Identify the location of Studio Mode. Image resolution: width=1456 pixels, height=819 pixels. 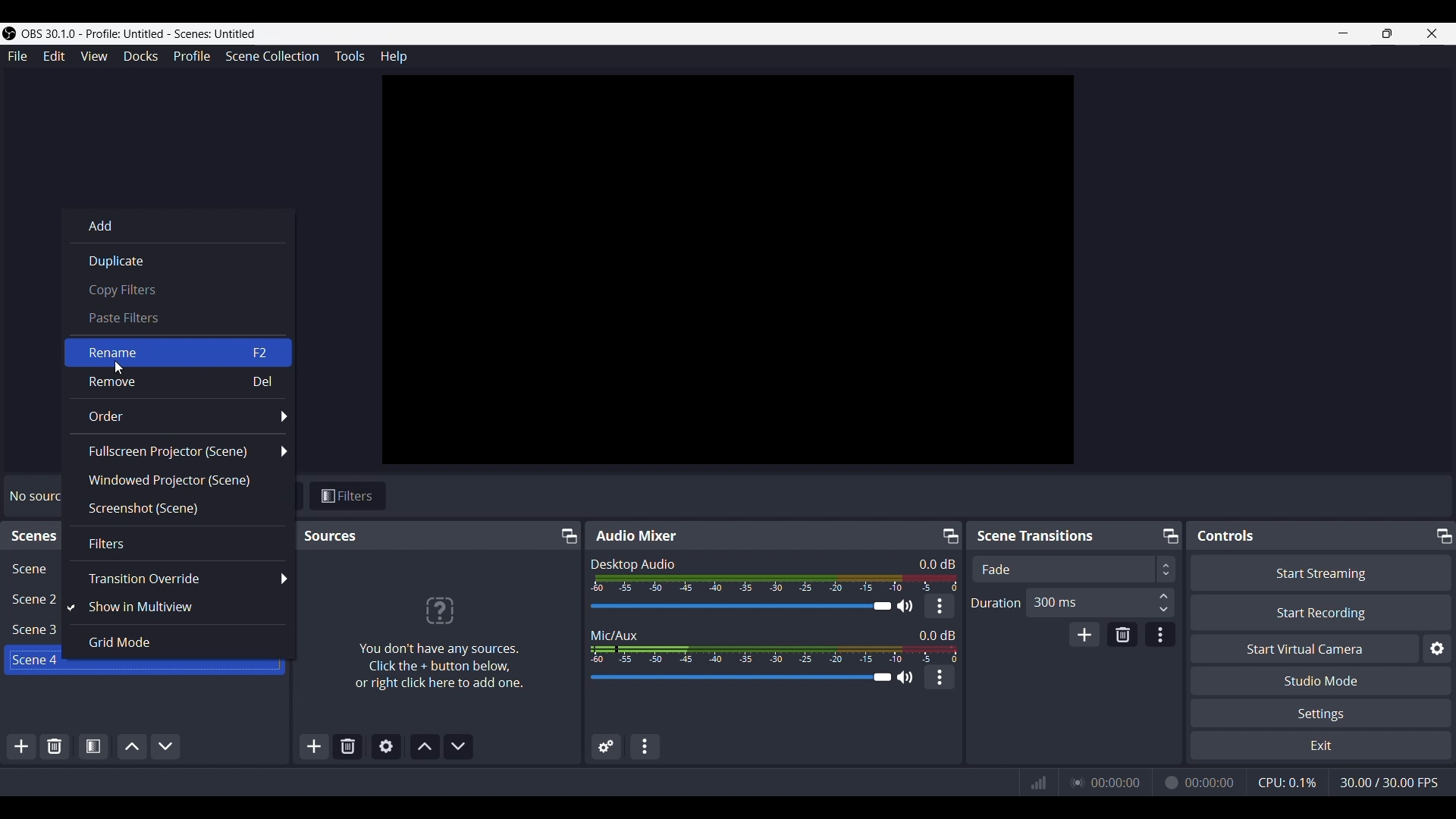
(1322, 680).